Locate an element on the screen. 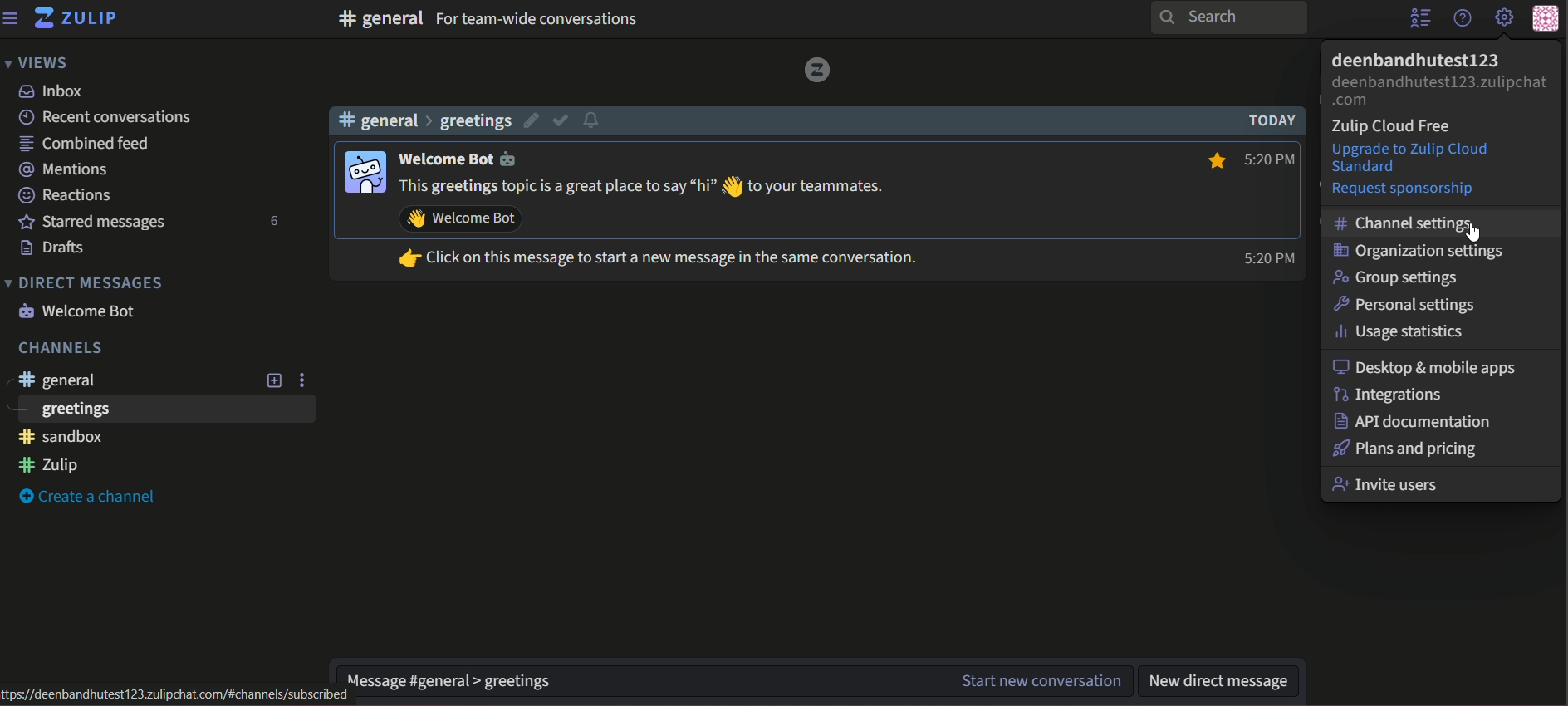 The width and height of the screenshot is (1568, 706). usage statistics is located at coordinates (1405, 331).